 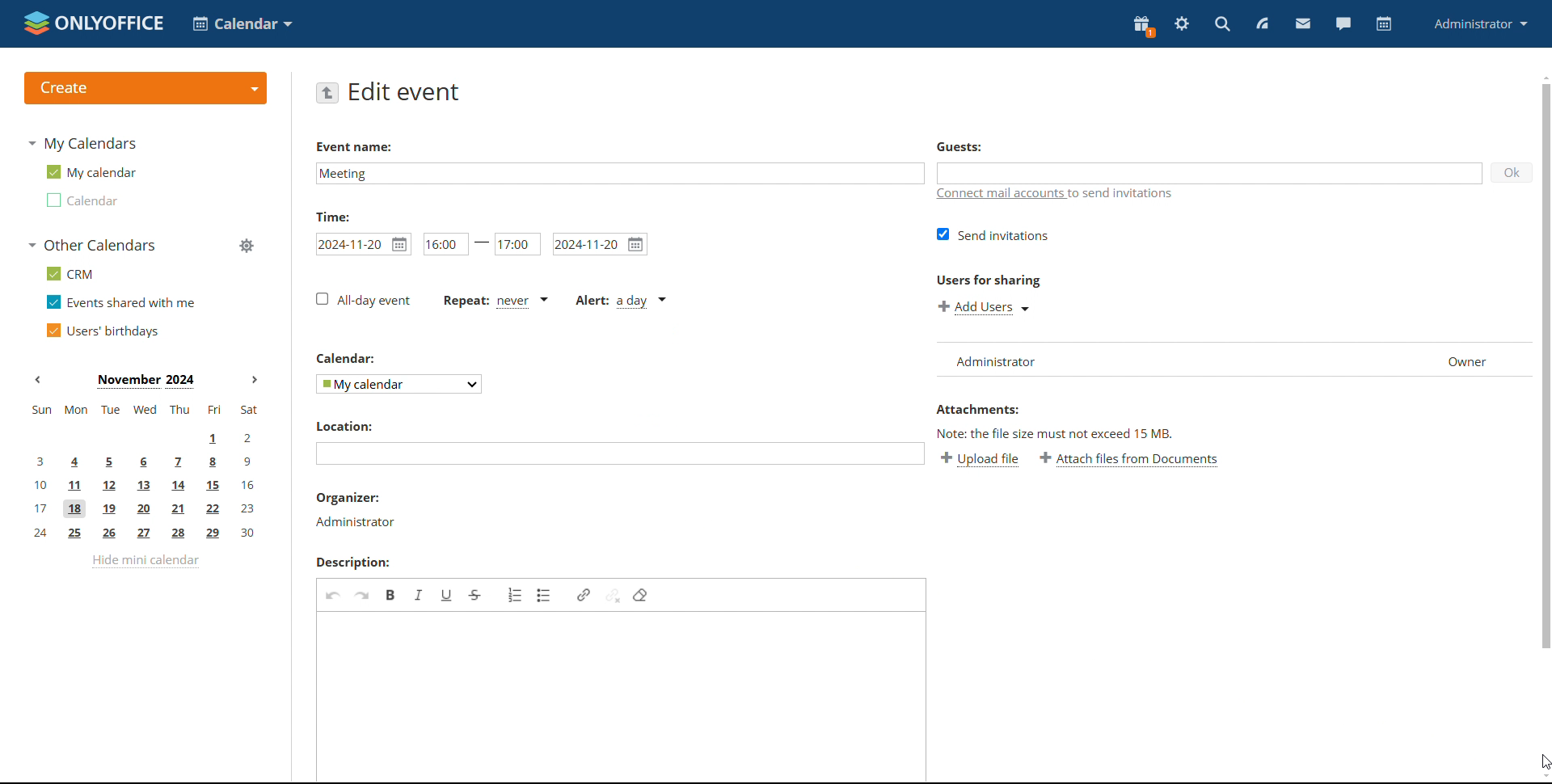 I want to click on crm, so click(x=67, y=273).